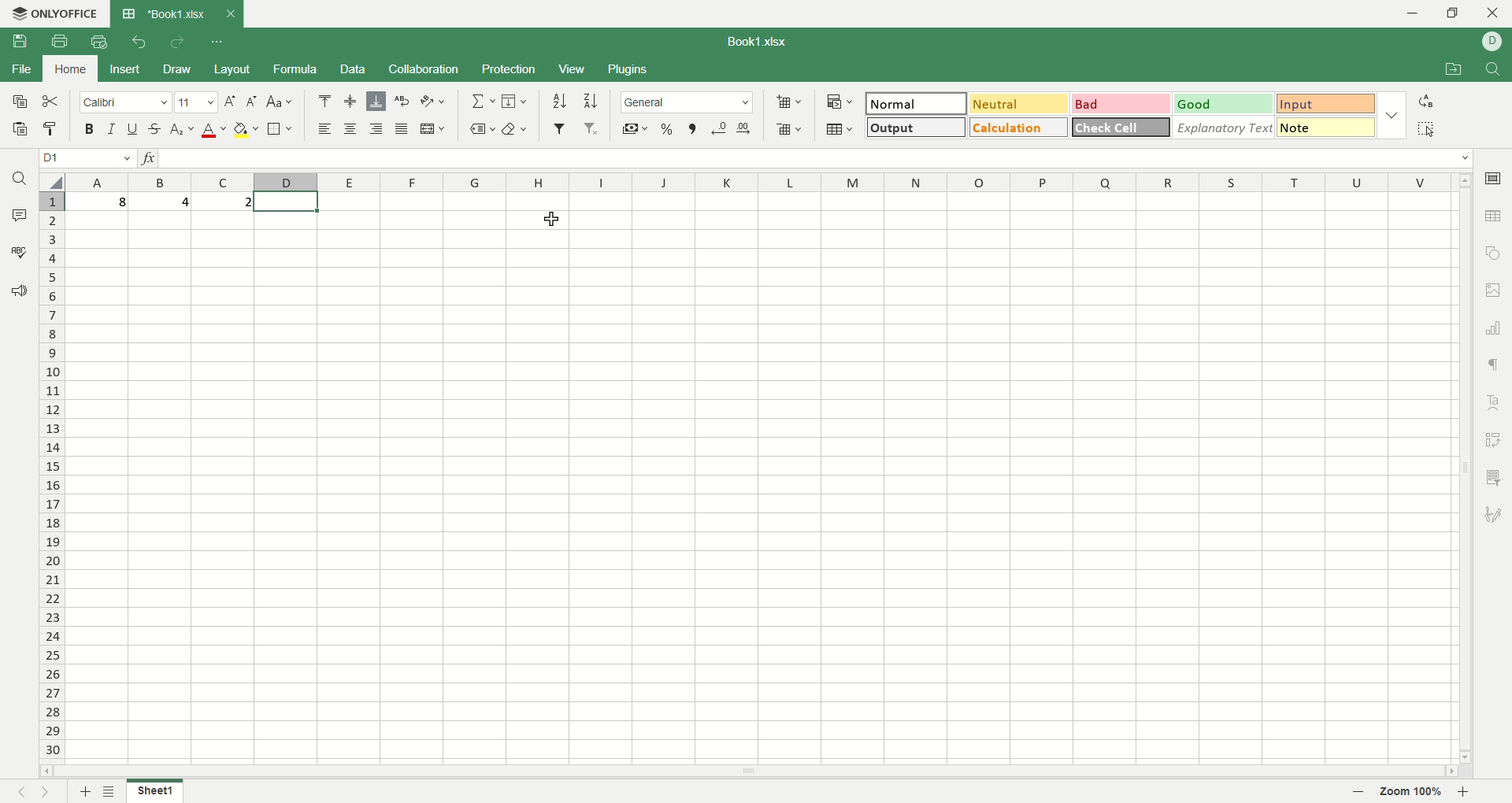  I want to click on input, so click(1325, 103).